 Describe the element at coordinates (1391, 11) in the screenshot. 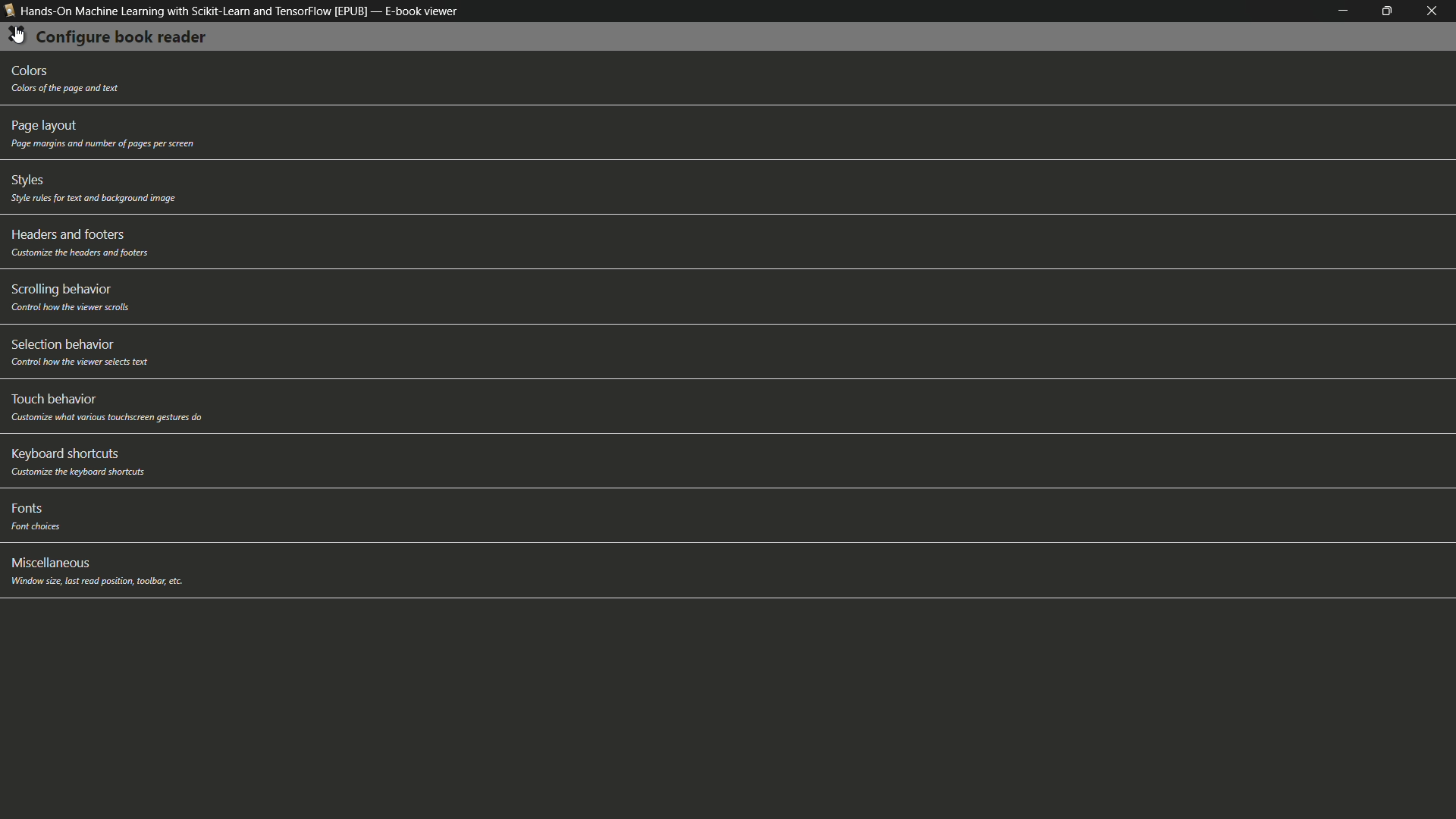

I see `maximize` at that location.